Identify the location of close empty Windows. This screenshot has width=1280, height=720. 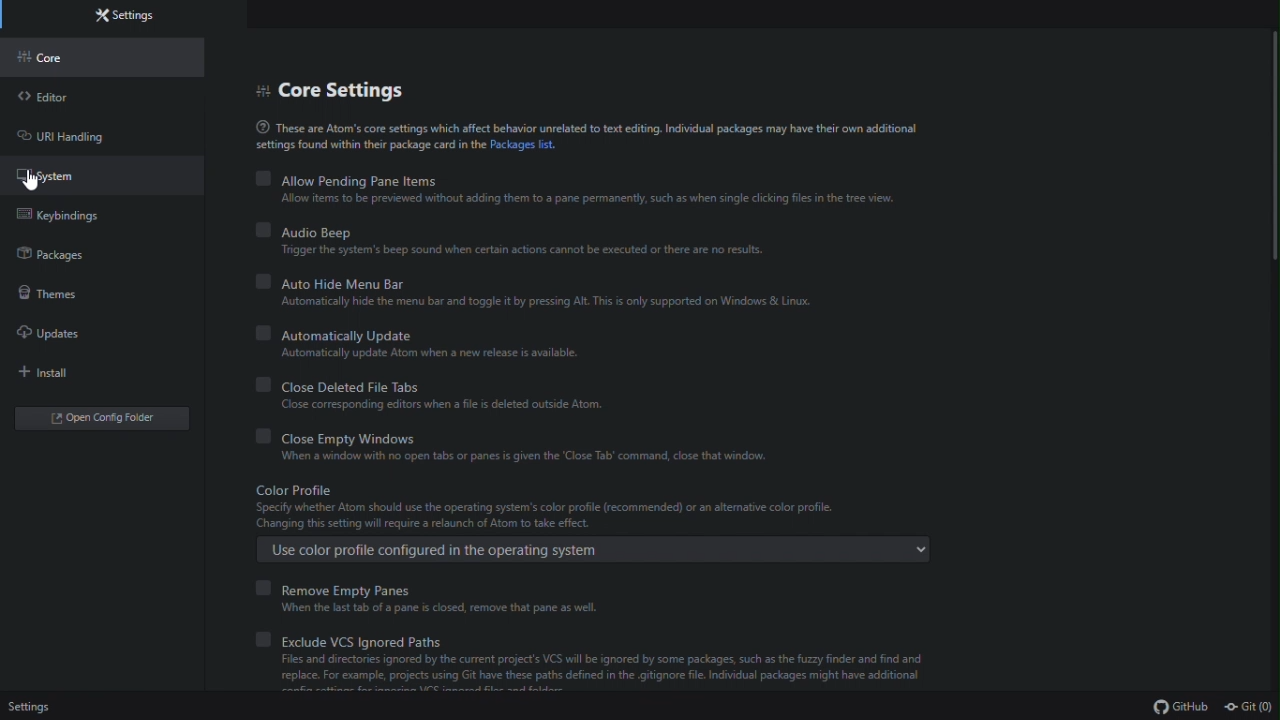
(519, 438).